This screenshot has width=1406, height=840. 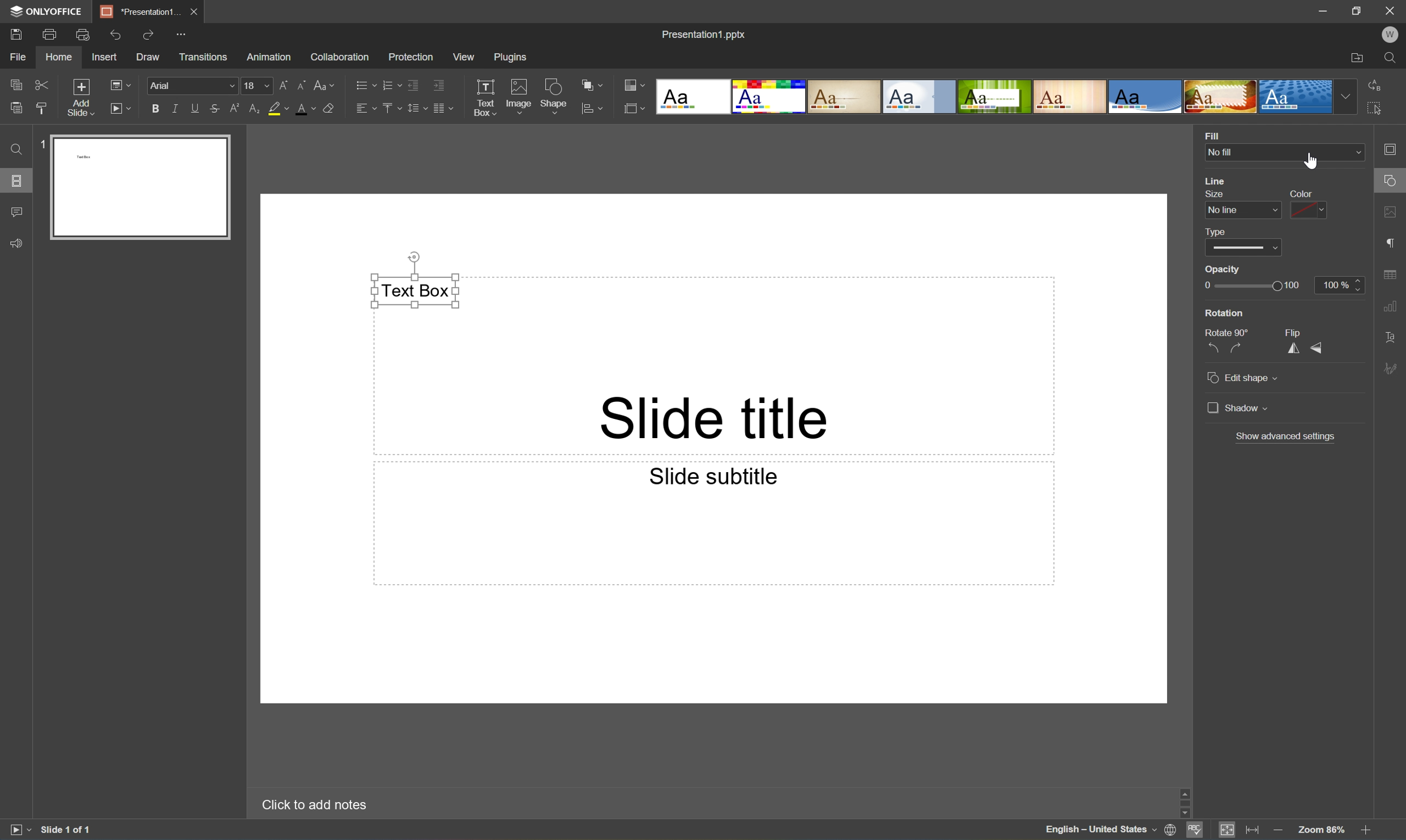 What do you see at coordinates (1227, 312) in the screenshot?
I see `Rotation` at bounding box center [1227, 312].